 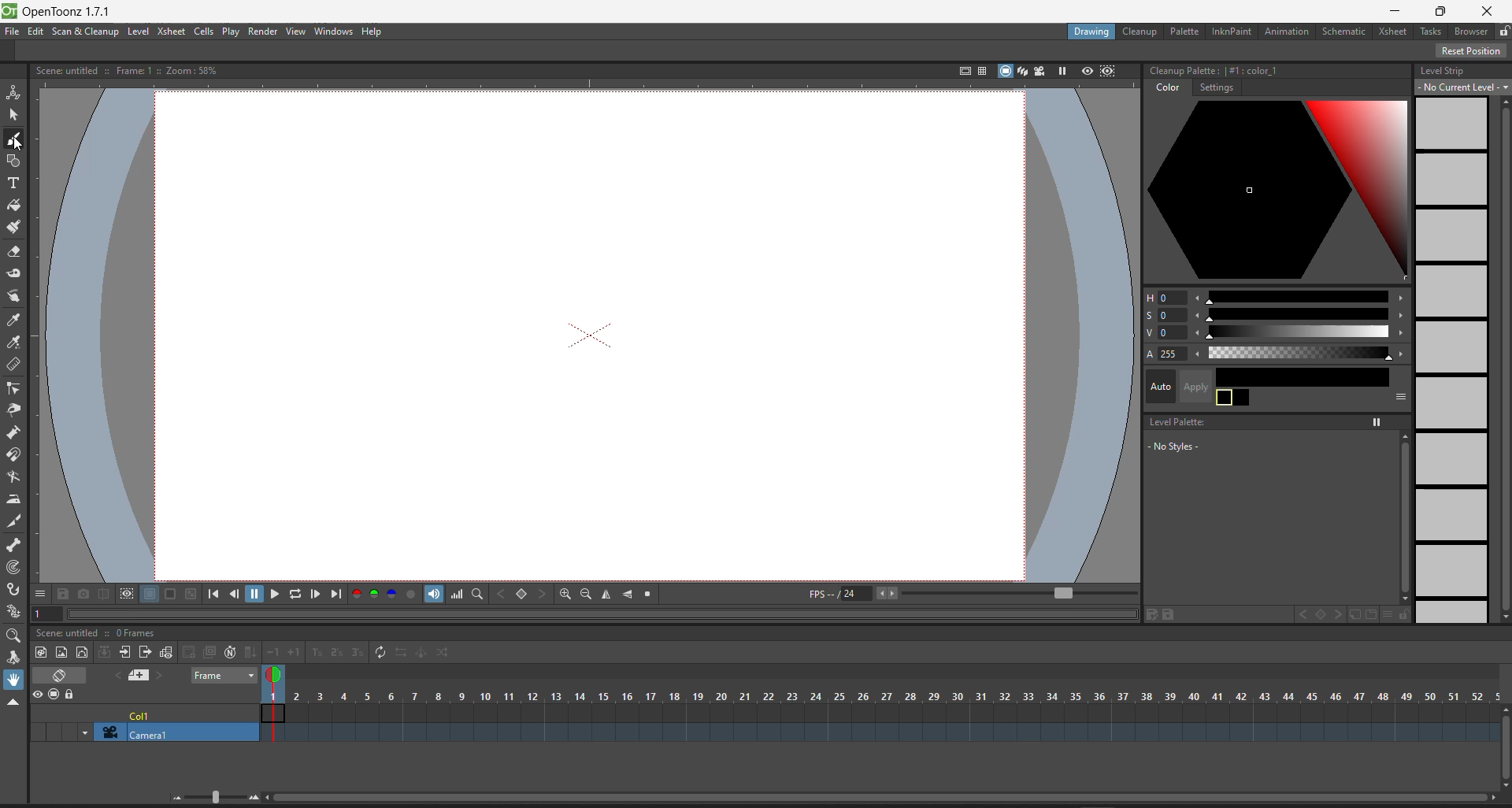 What do you see at coordinates (608, 595) in the screenshot?
I see `flip horizontally` at bounding box center [608, 595].